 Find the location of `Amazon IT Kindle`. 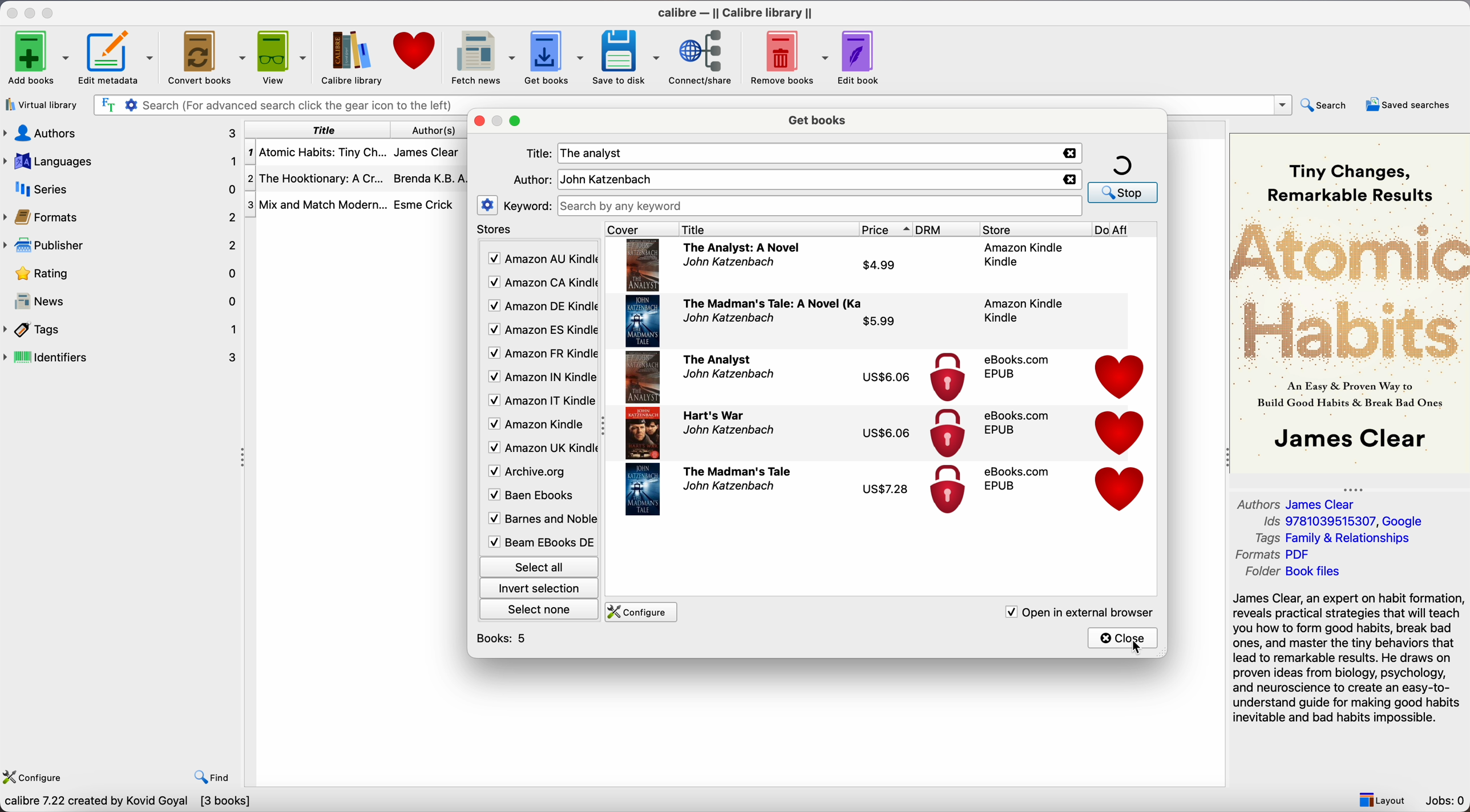

Amazon IT Kindle is located at coordinates (540, 403).